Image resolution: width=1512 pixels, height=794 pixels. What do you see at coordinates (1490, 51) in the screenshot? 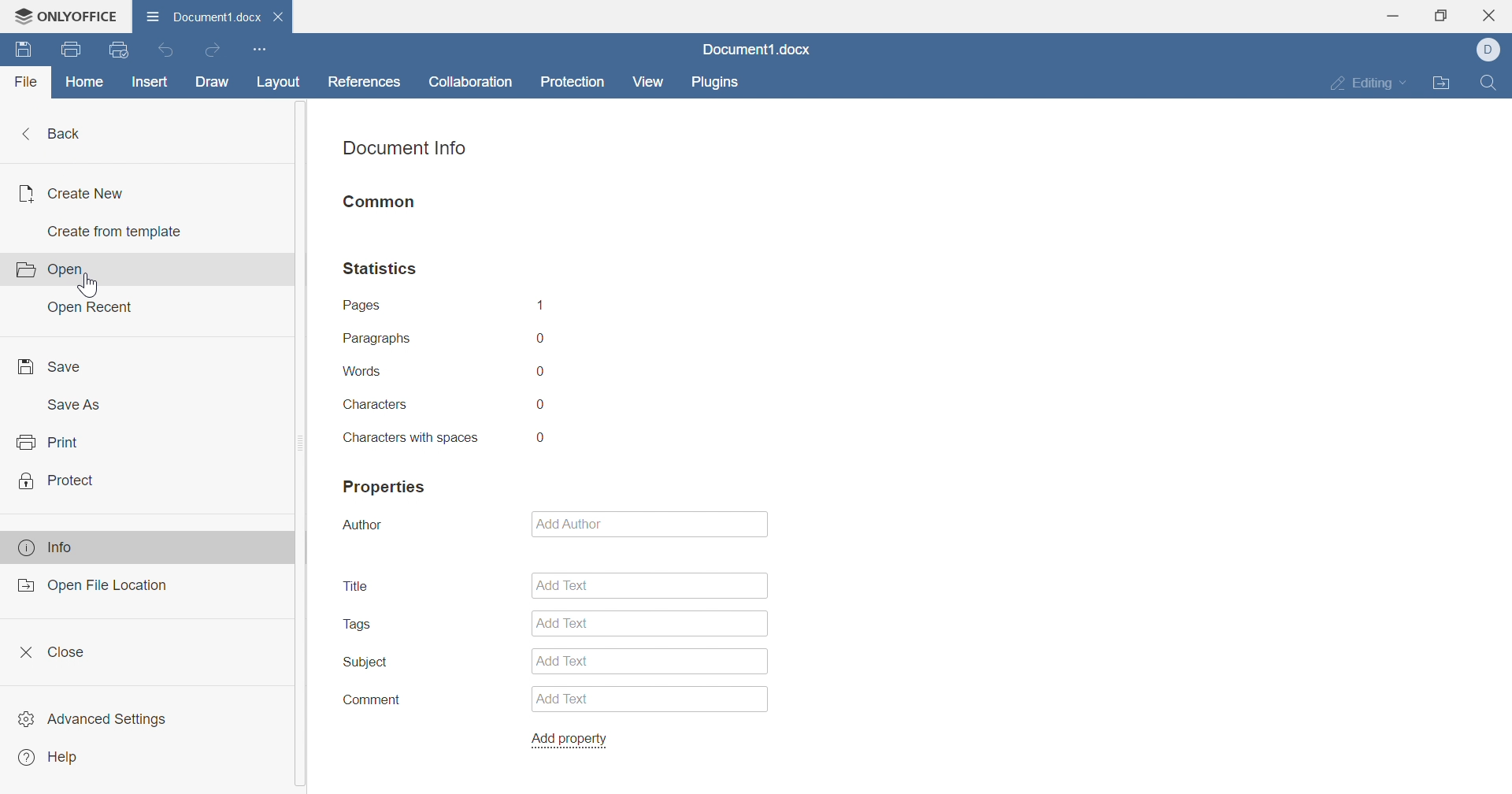
I see `dell` at bounding box center [1490, 51].